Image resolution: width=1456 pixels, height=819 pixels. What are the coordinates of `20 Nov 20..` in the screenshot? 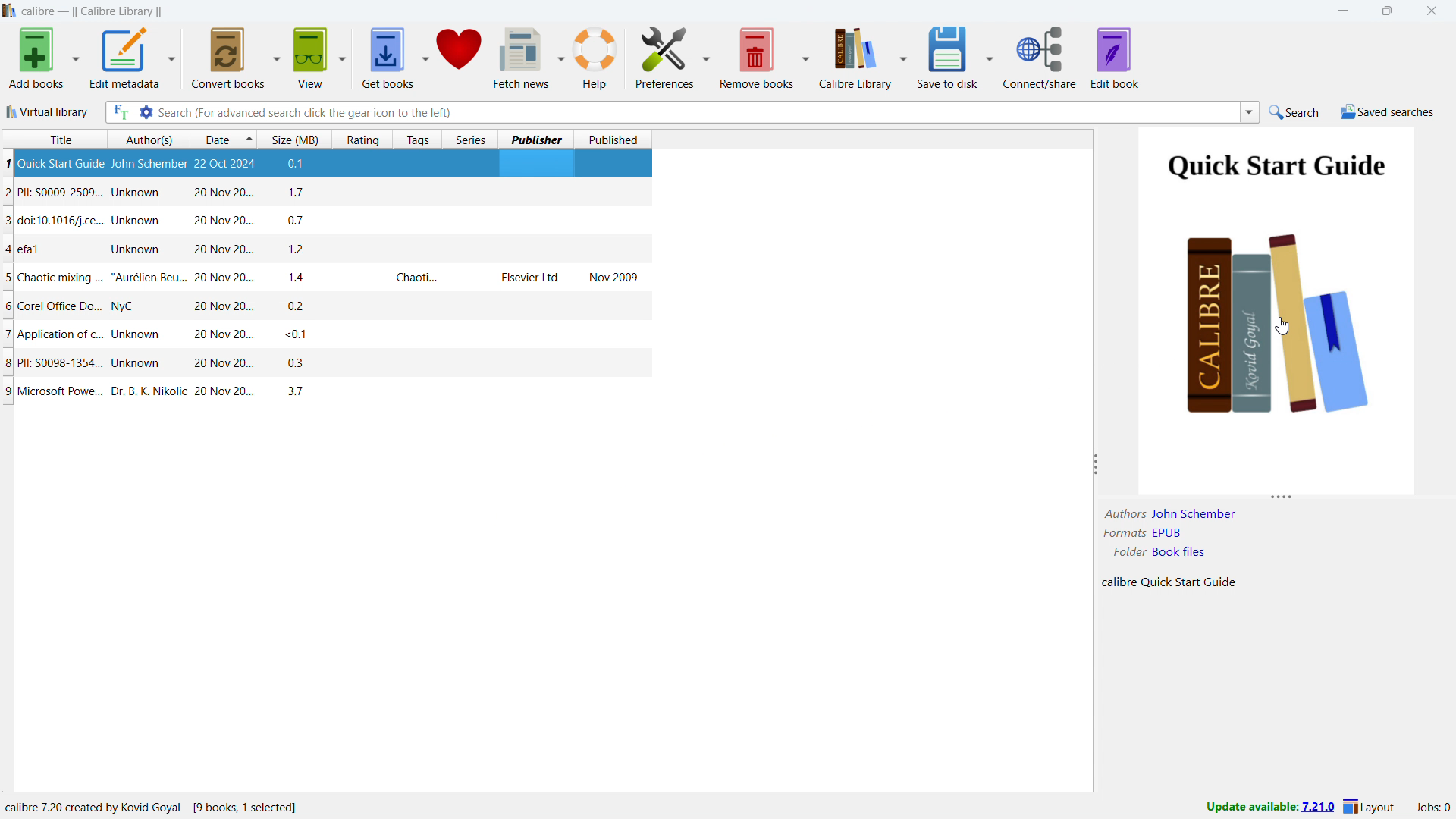 It's located at (224, 193).